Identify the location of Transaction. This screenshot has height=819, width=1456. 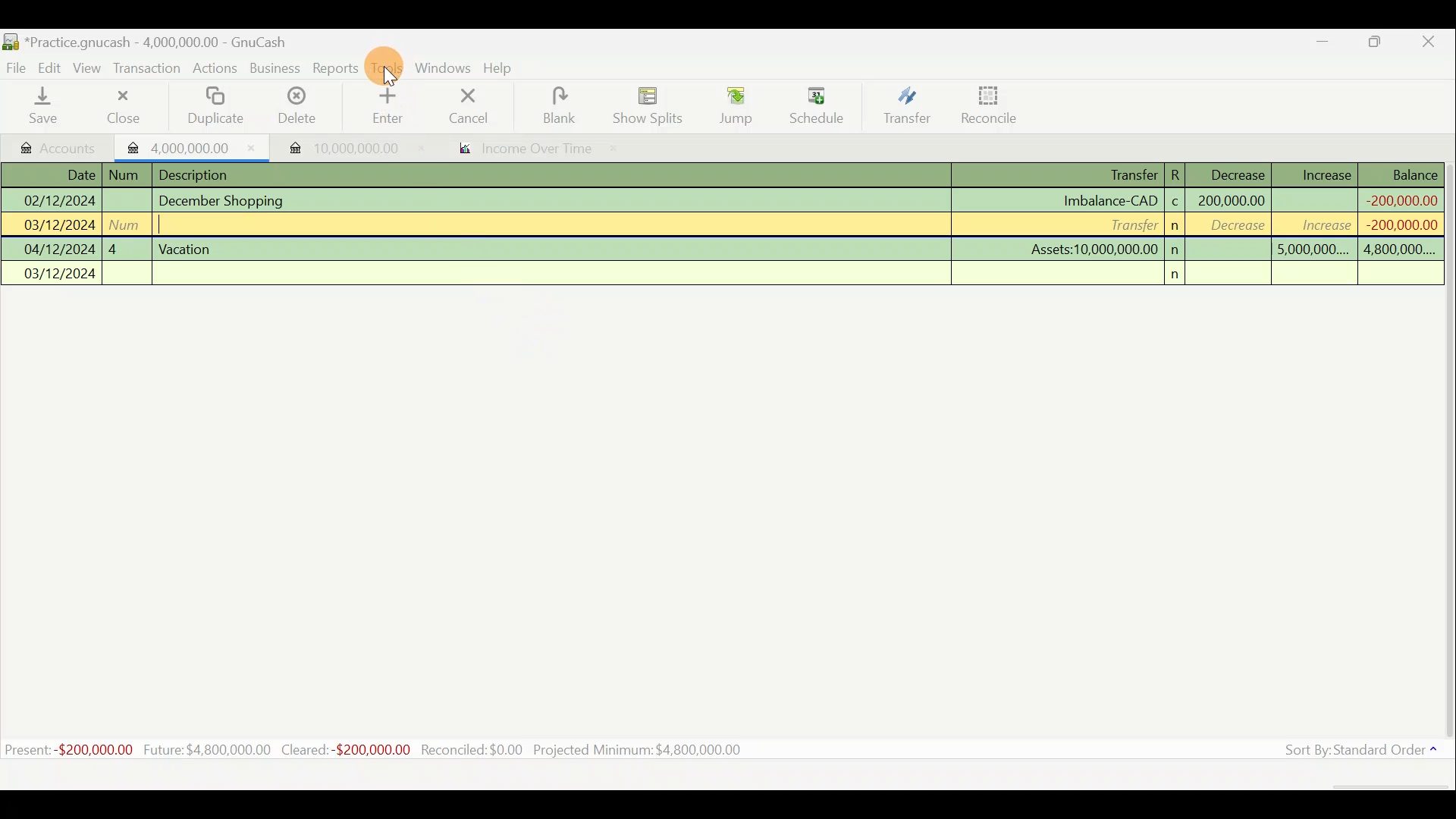
(151, 70).